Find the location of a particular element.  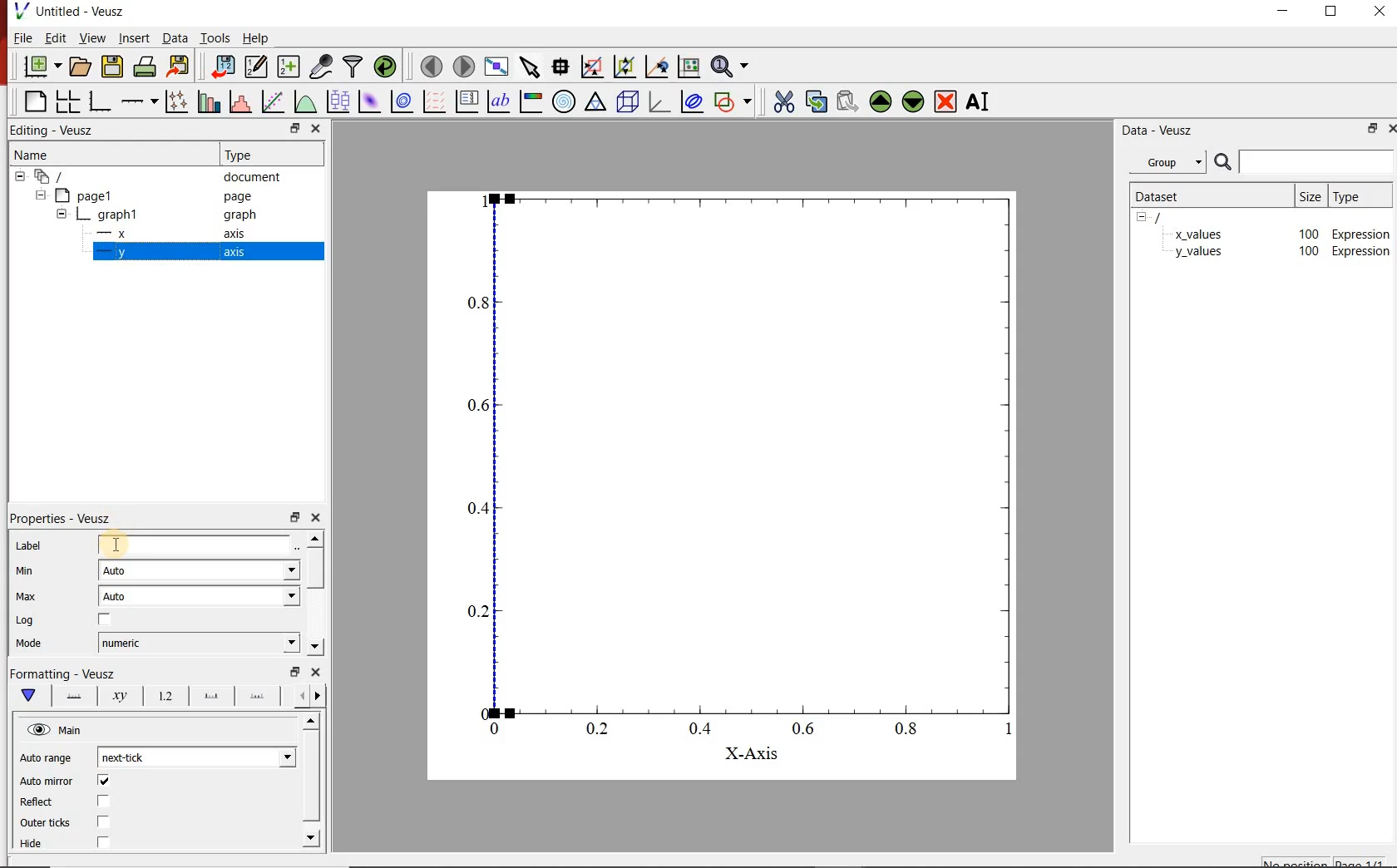

plot 2d dataset as contours is located at coordinates (403, 101).